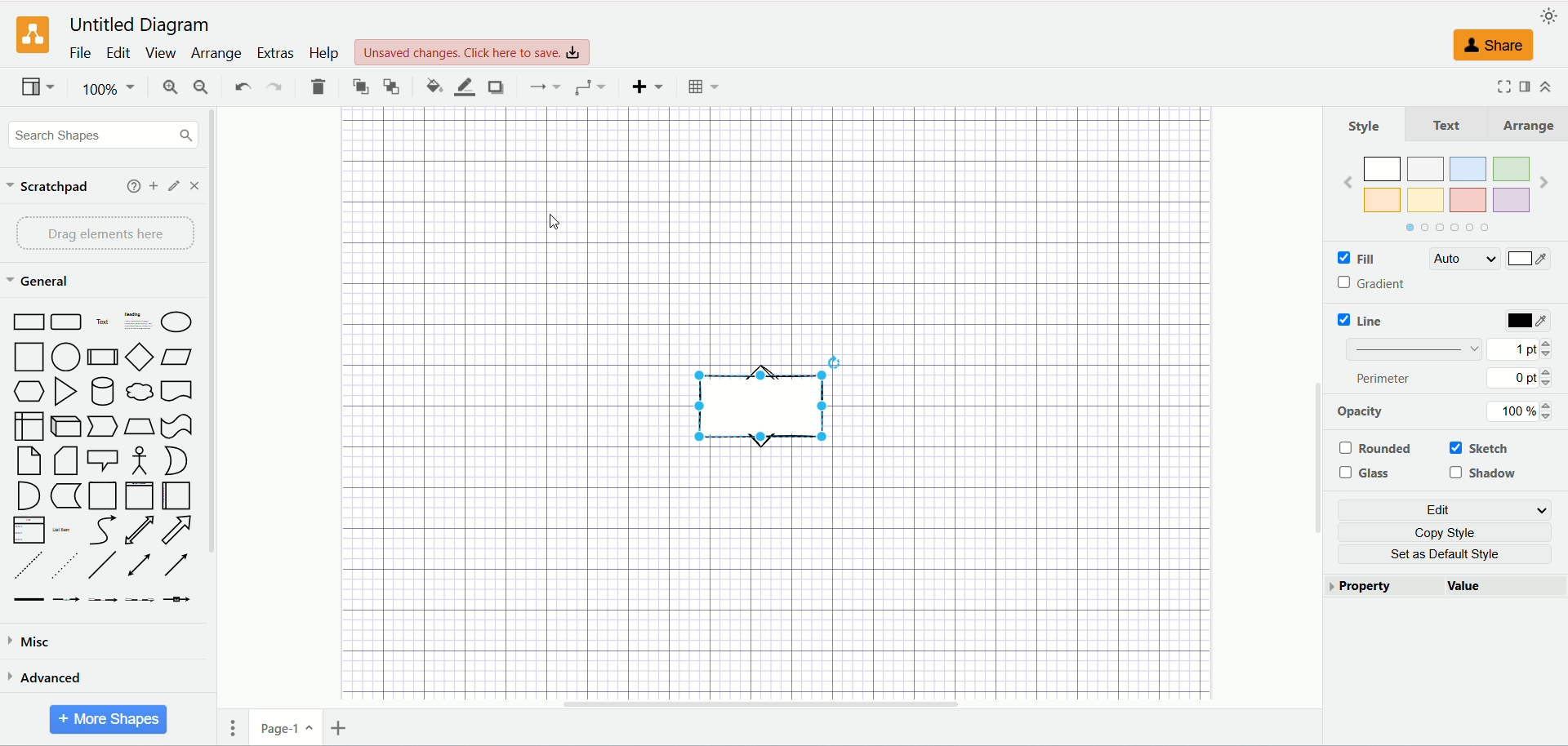 The width and height of the screenshot is (1568, 746). Describe the element at coordinates (29, 390) in the screenshot. I see `Hexagon` at that location.